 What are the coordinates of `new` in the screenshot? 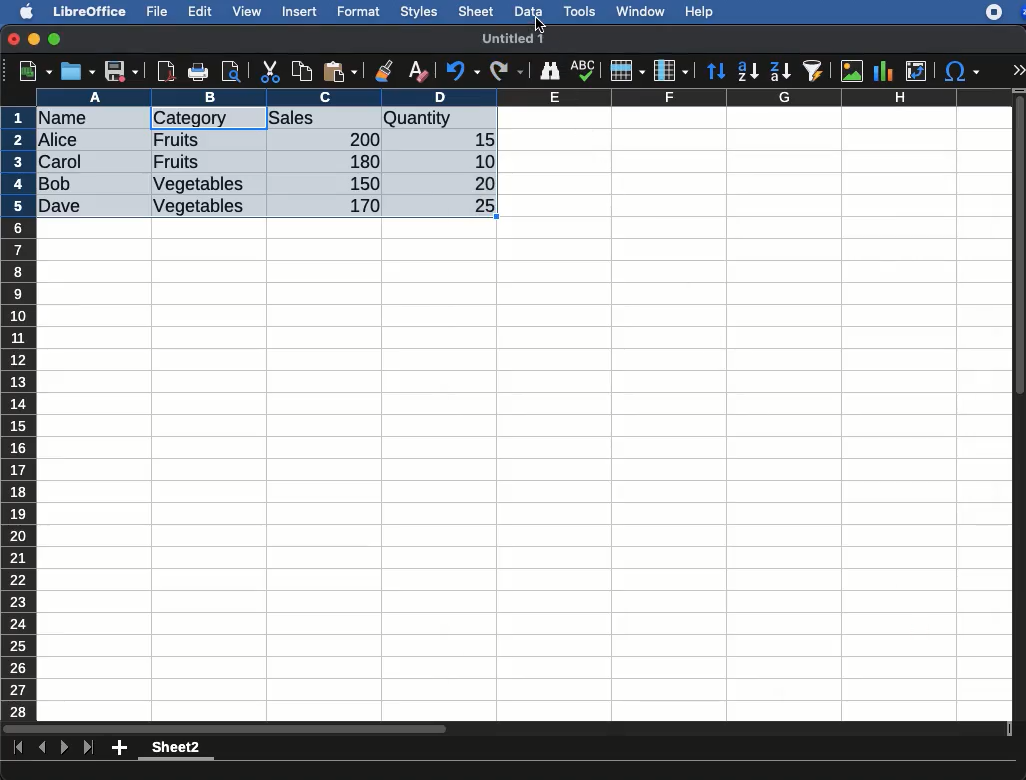 It's located at (31, 70).